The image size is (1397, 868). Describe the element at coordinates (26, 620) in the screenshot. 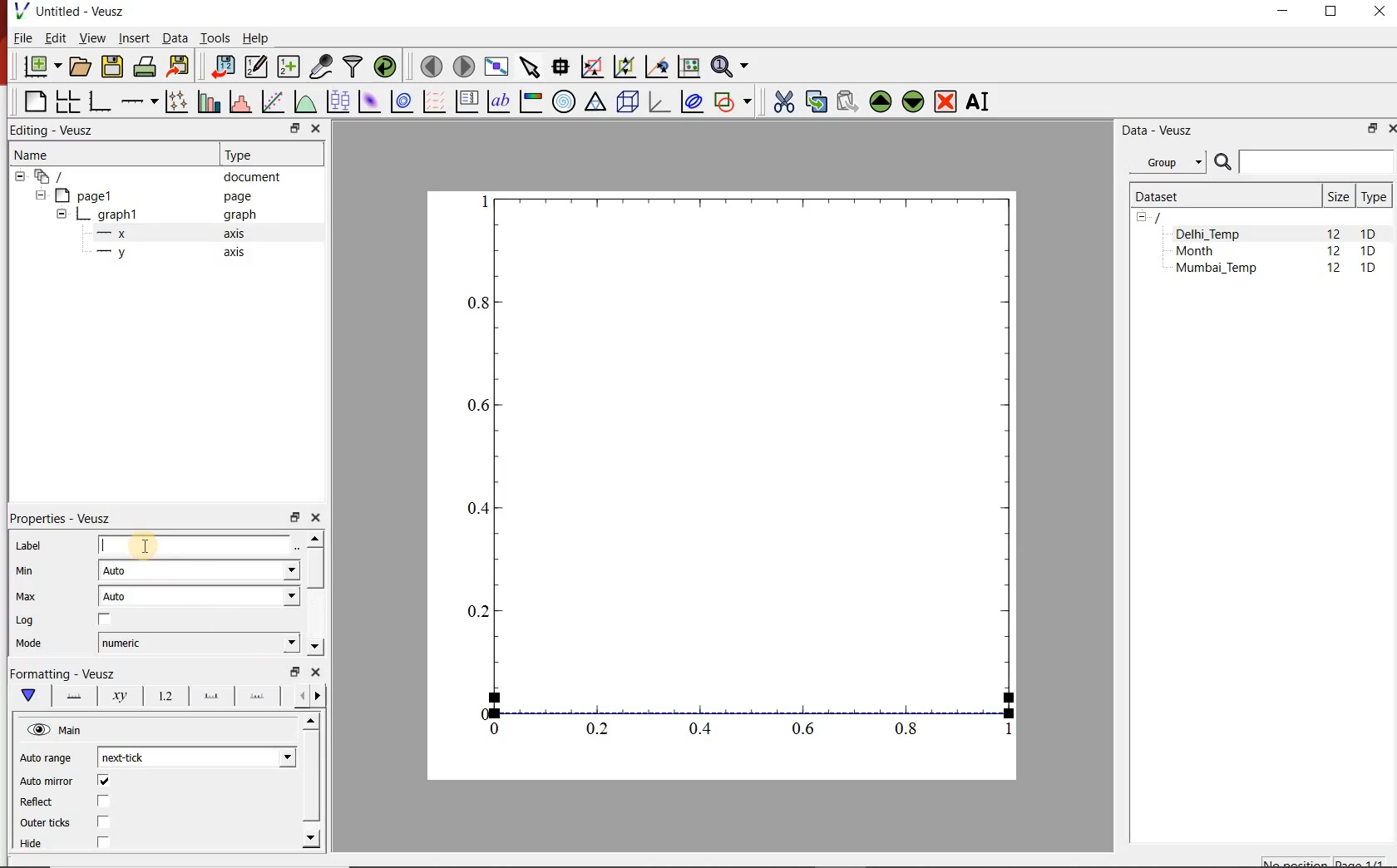

I see `Log` at that location.